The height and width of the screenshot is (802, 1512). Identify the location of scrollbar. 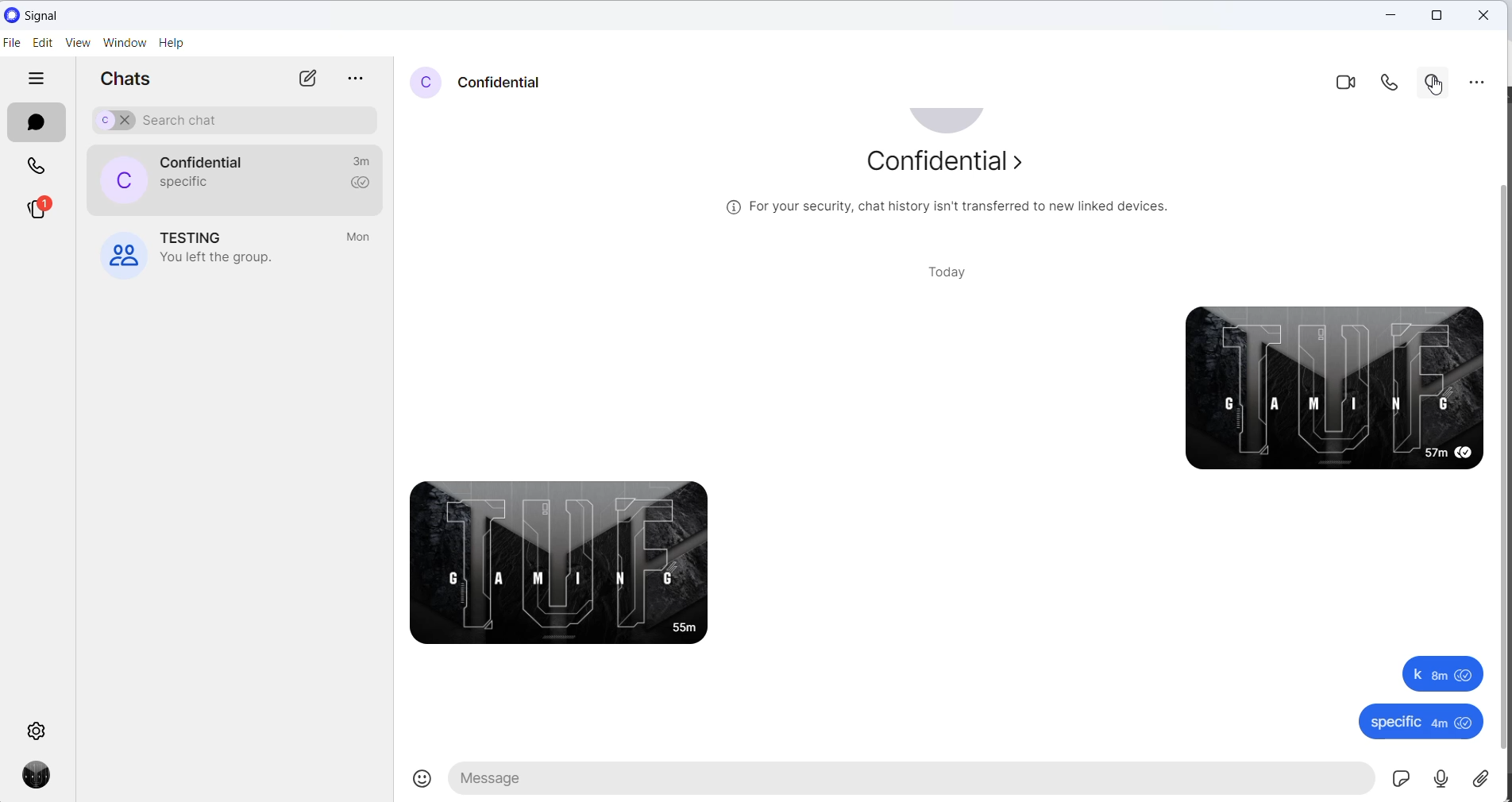
(1502, 460).